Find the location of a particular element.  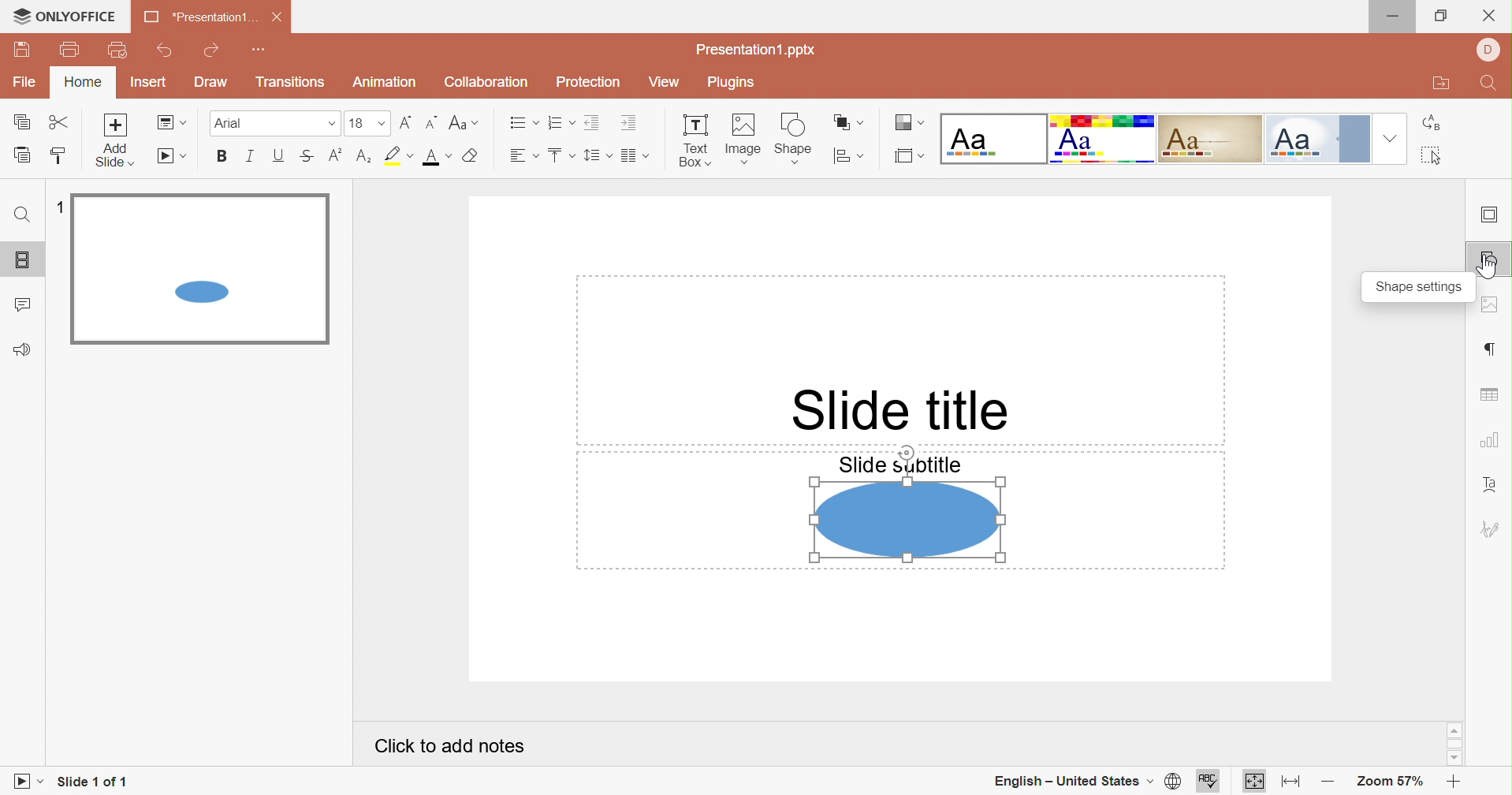

Quick print is located at coordinates (118, 50).